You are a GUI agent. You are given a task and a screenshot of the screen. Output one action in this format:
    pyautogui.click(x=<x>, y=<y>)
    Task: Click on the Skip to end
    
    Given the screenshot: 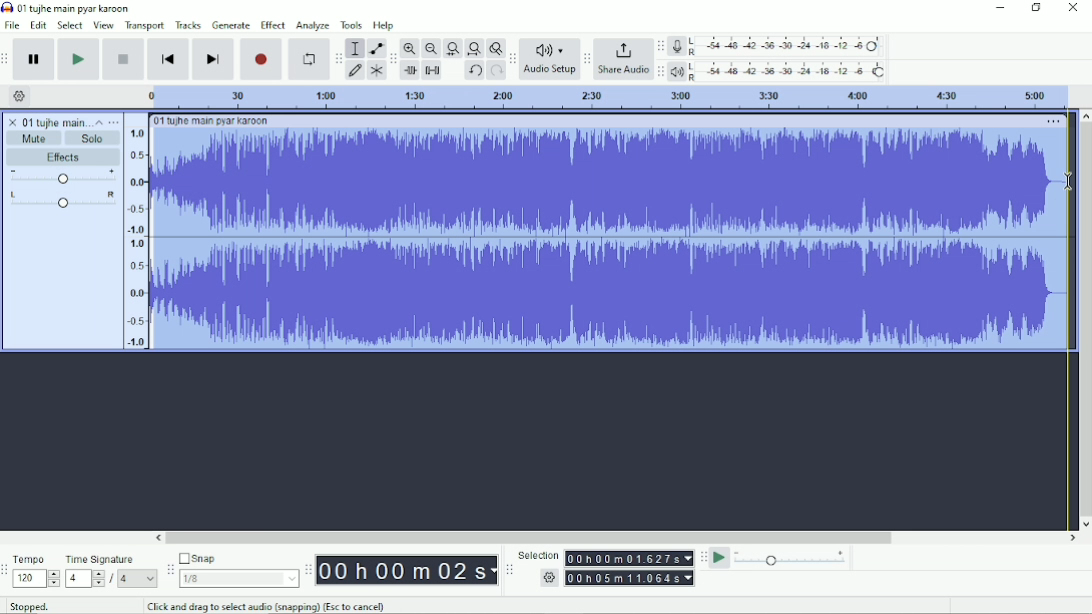 What is the action you would take?
    pyautogui.click(x=213, y=59)
    